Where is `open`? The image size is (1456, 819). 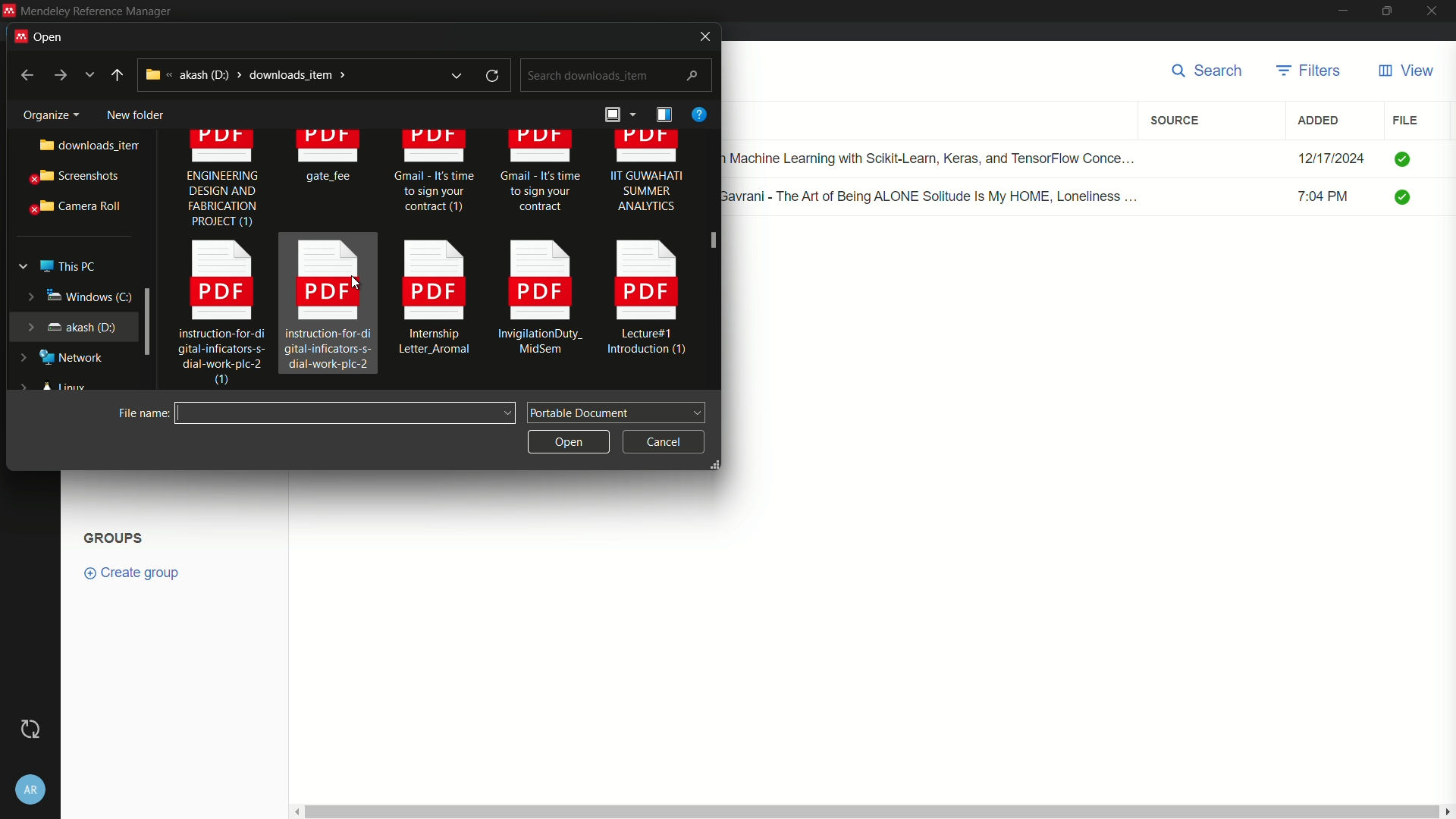 open is located at coordinates (566, 440).